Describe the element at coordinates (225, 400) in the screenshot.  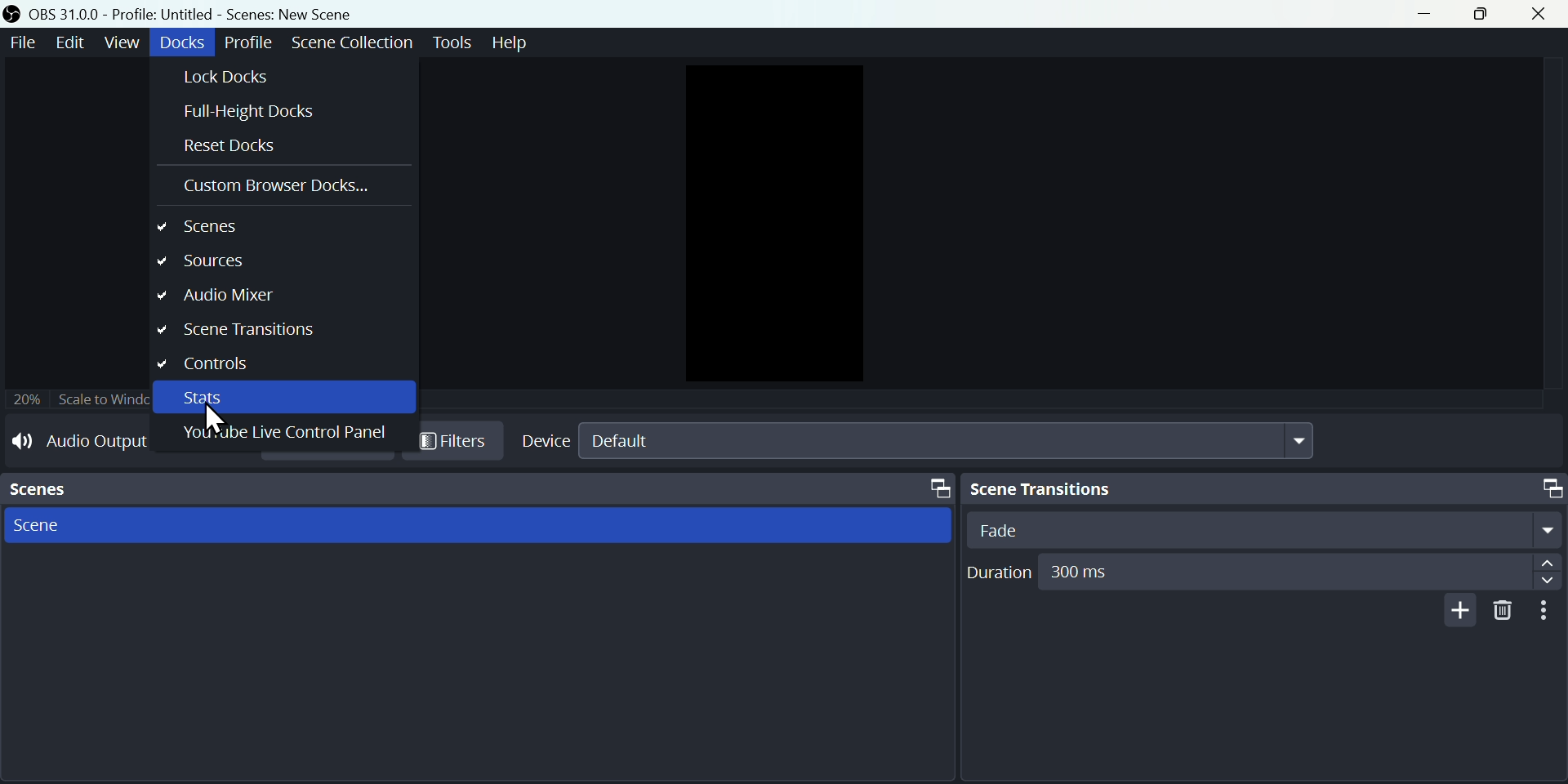
I see `Stats` at that location.